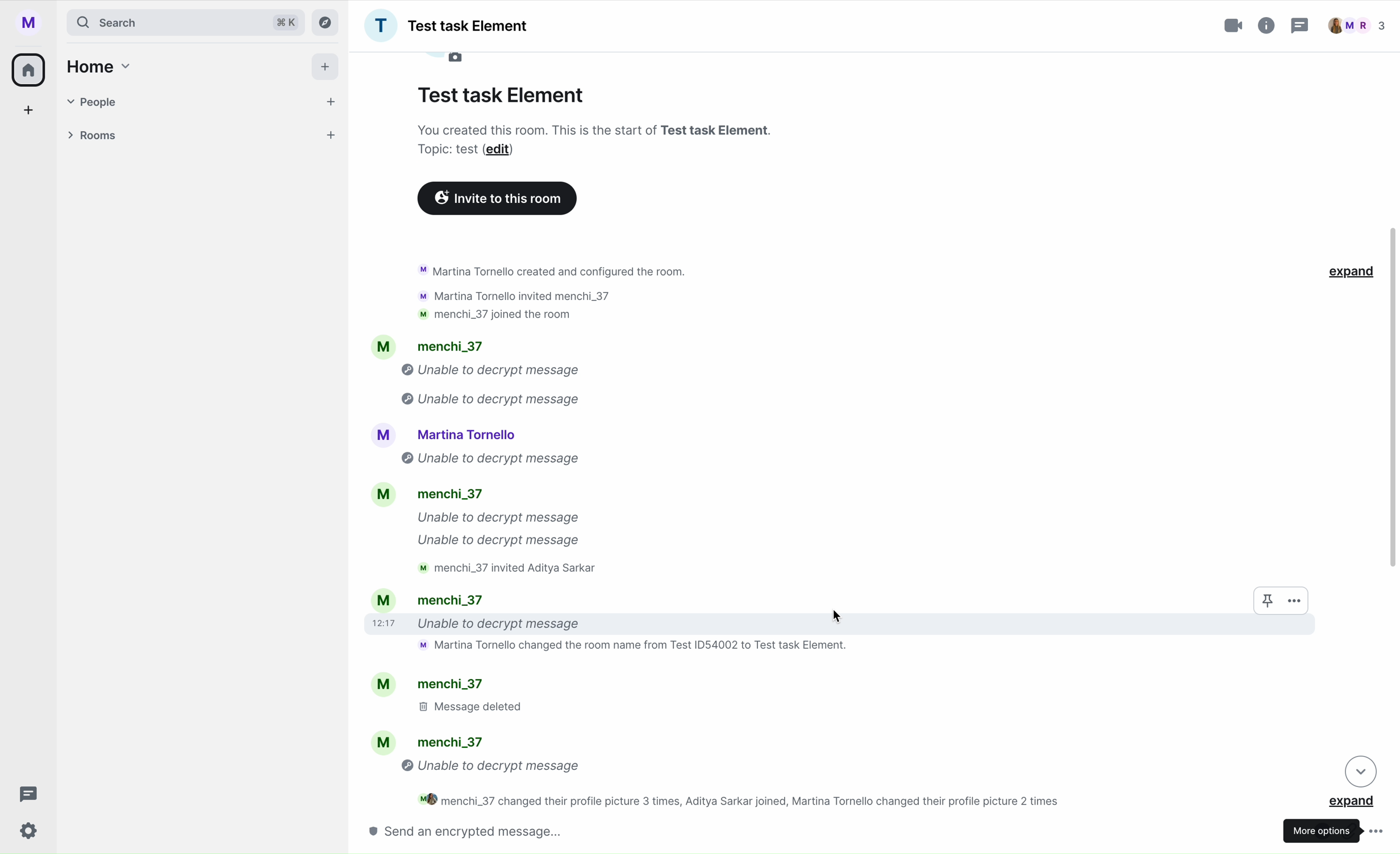 The width and height of the screenshot is (1400, 854). I want to click on home, so click(96, 66).